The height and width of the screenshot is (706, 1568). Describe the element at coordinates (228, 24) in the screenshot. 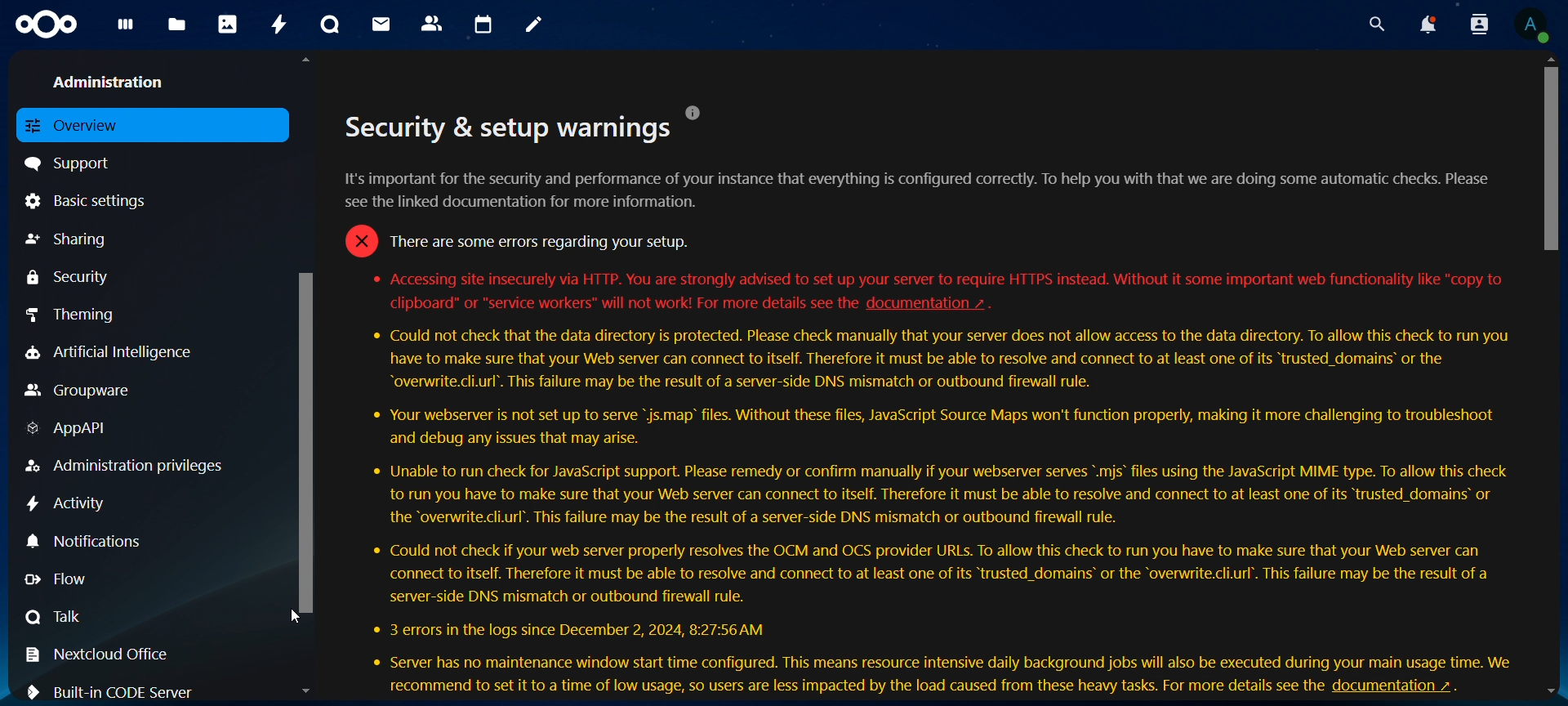

I see `photos` at that location.